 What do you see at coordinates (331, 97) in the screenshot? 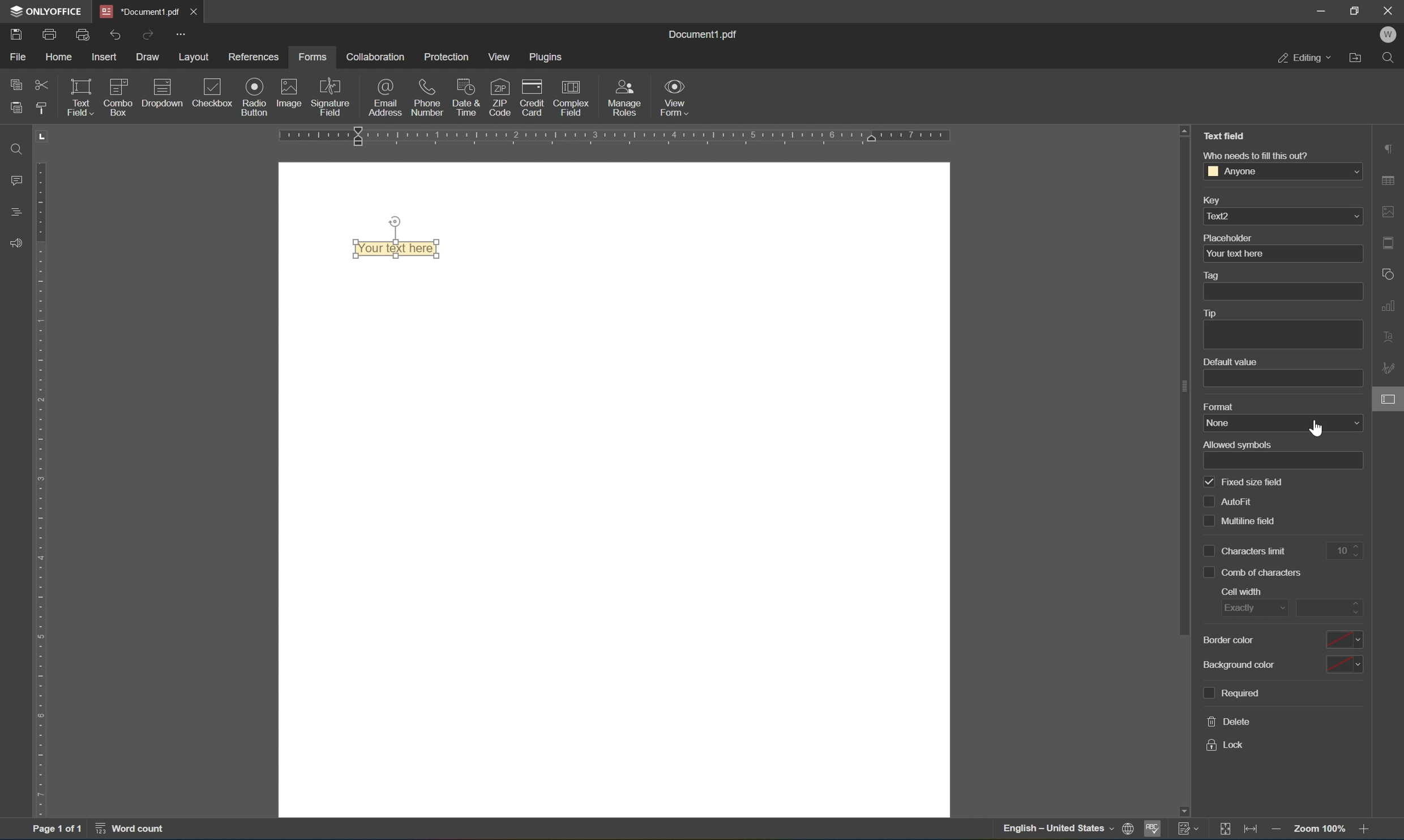
I see `signature field` at bounding box center [331, 97].